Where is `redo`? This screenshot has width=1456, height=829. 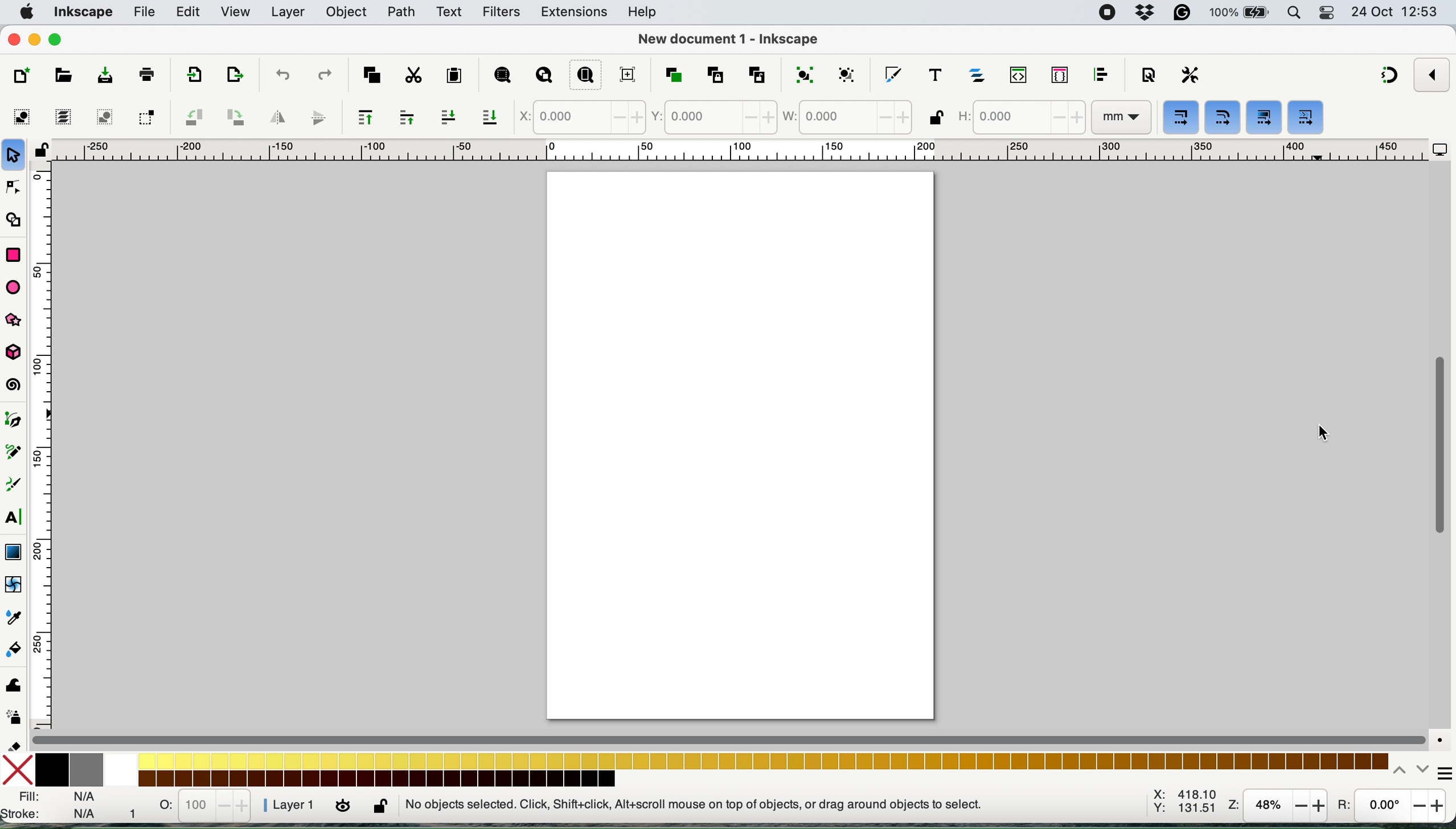 redo is located at coordinates (323, 76).